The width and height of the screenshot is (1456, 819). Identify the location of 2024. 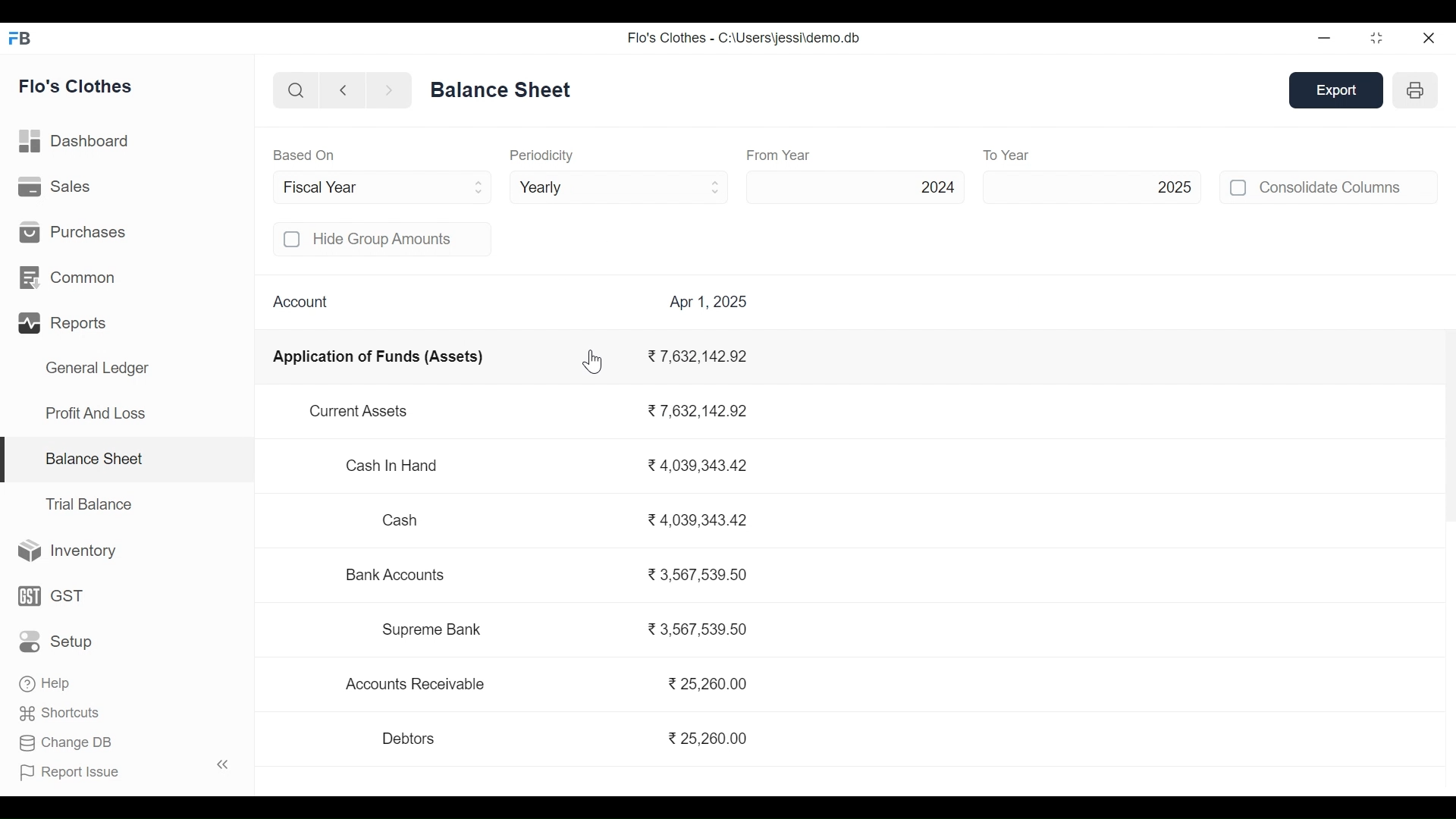
(858, 187).